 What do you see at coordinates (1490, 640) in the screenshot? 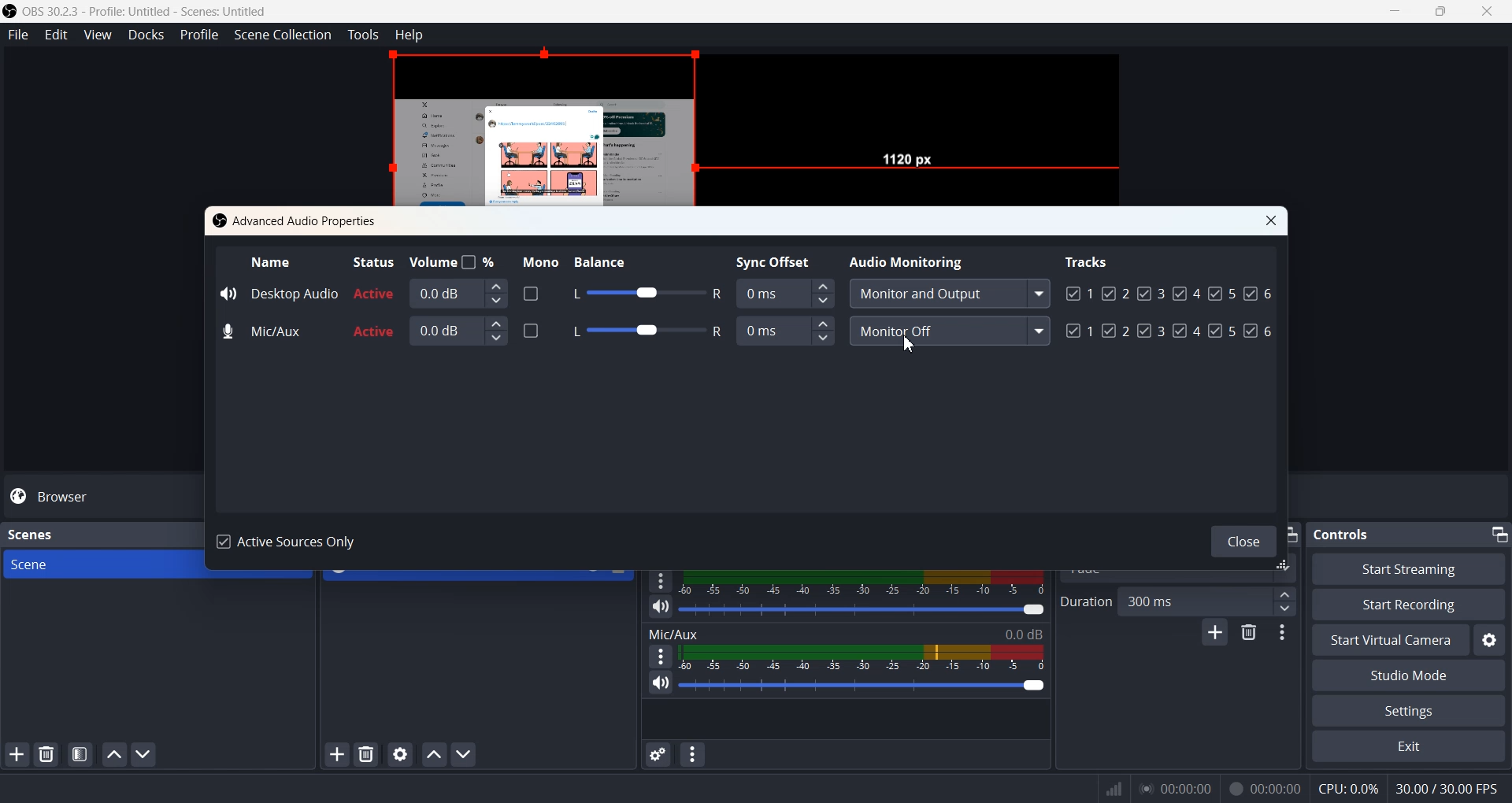
I see `Settings` at bounding box center [1490, 640].